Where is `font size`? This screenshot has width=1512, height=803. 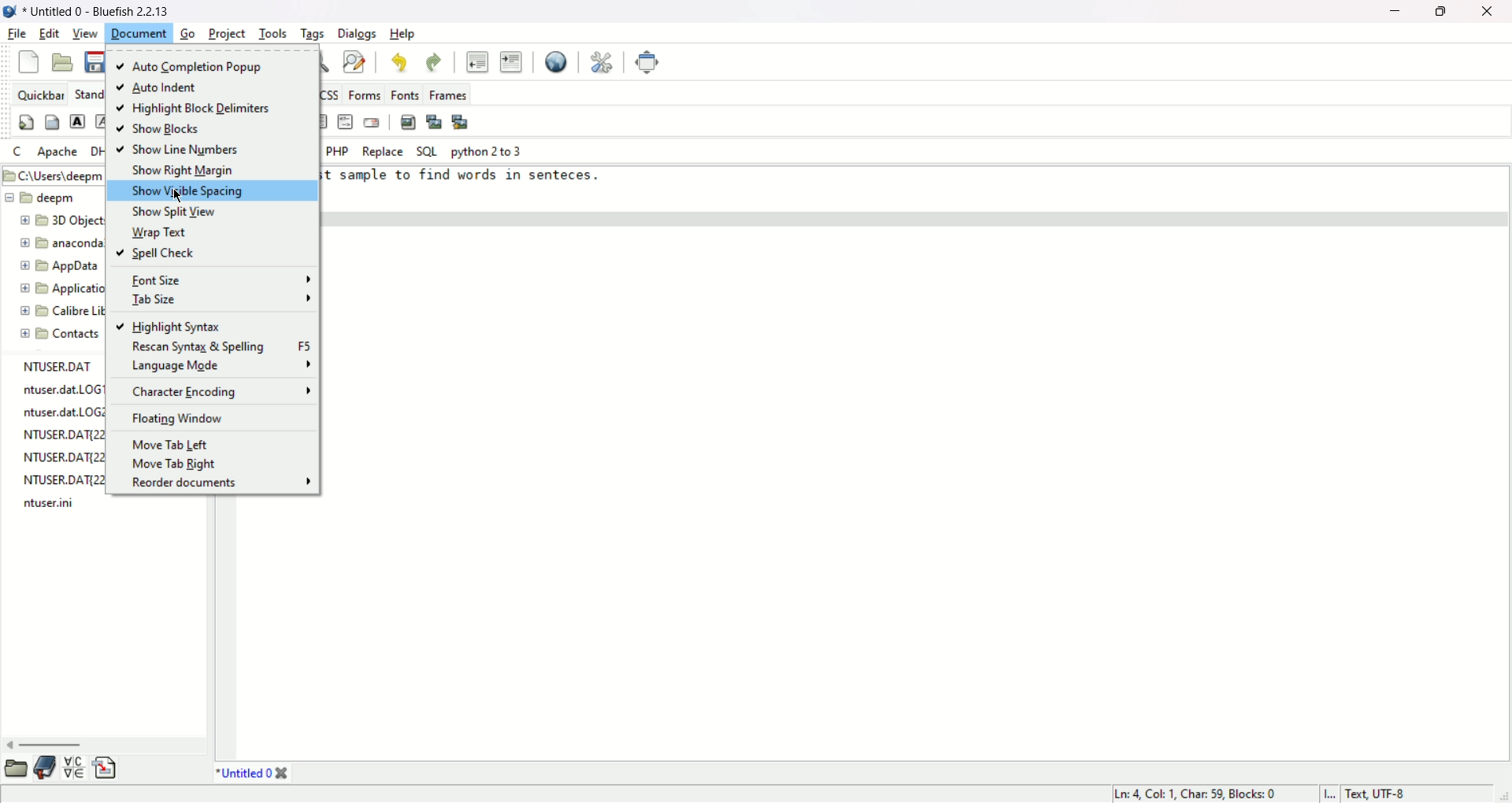
font size is located at coordinates (213, 279).